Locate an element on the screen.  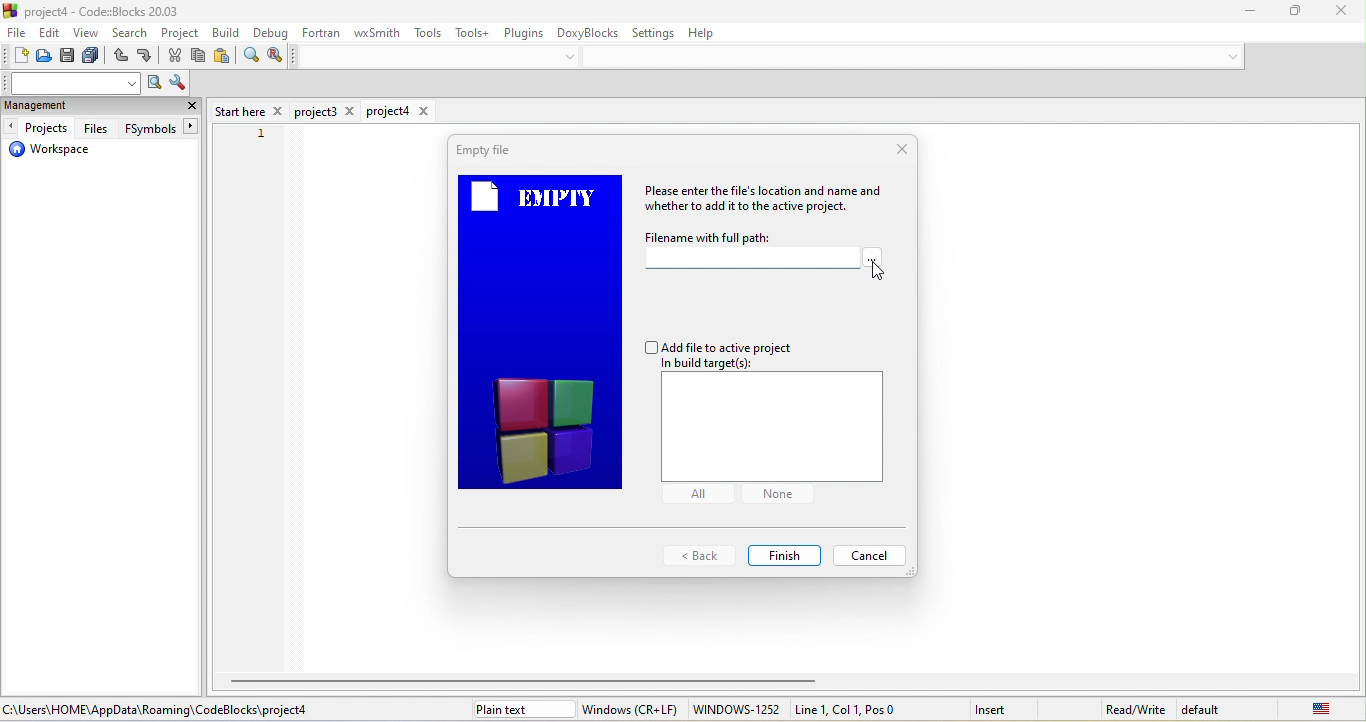
fsymbols is located at coordinates (158, 129).